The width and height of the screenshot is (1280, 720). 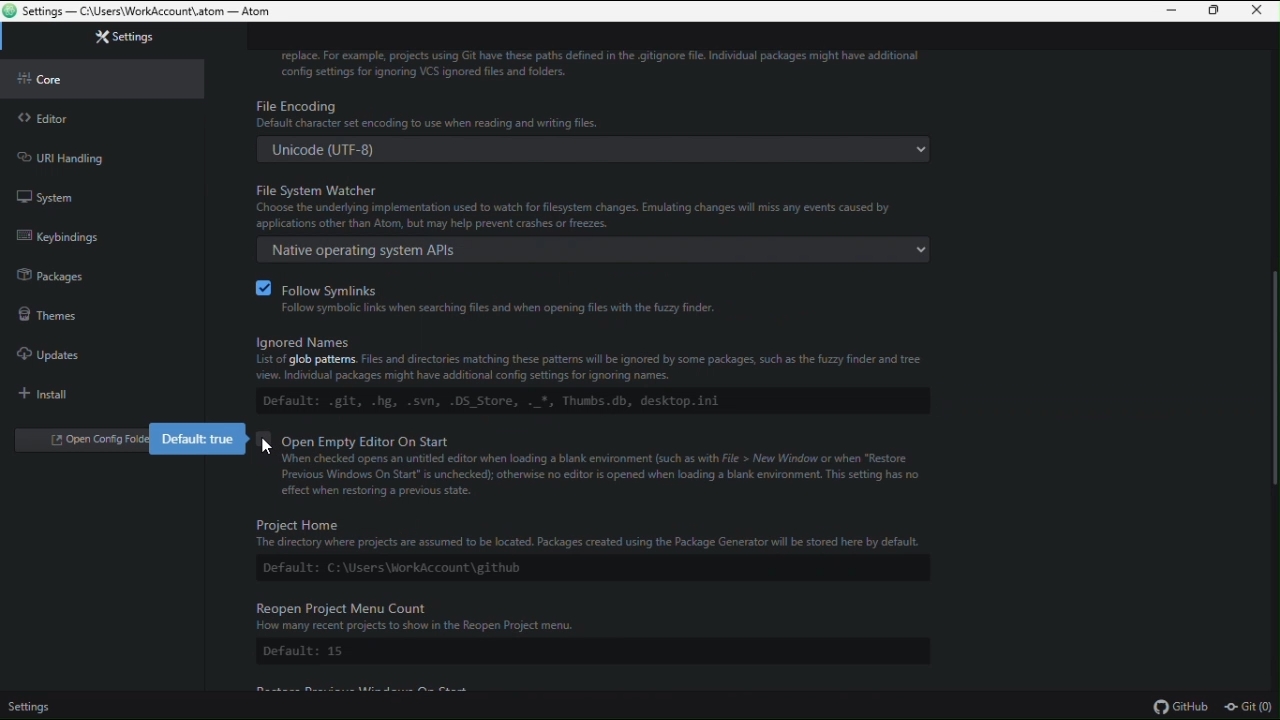 What do you see at coordinates (1271, 376) in the screenshot?
I see `scroll bar` at bounding box center [1271, 376].